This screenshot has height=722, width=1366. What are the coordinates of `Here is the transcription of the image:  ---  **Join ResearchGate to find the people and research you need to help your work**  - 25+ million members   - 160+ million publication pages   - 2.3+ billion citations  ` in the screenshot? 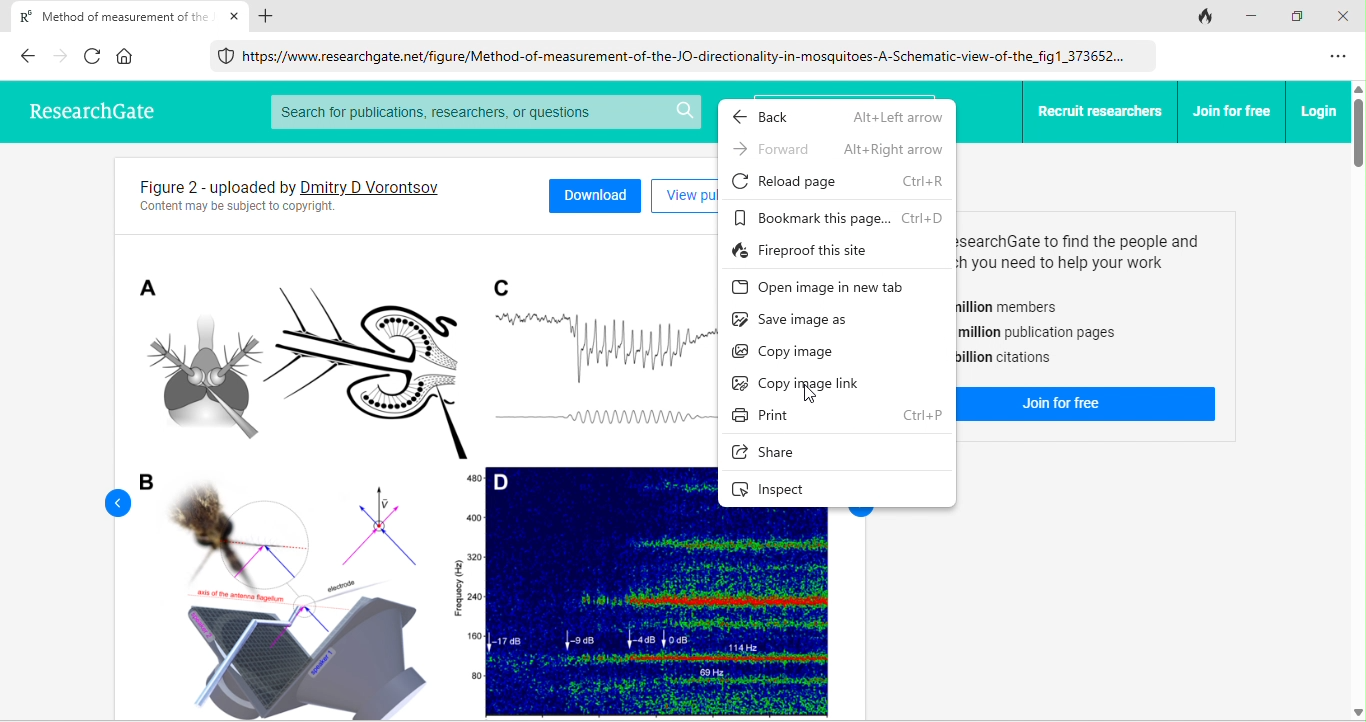 It's located at (1092, 299).